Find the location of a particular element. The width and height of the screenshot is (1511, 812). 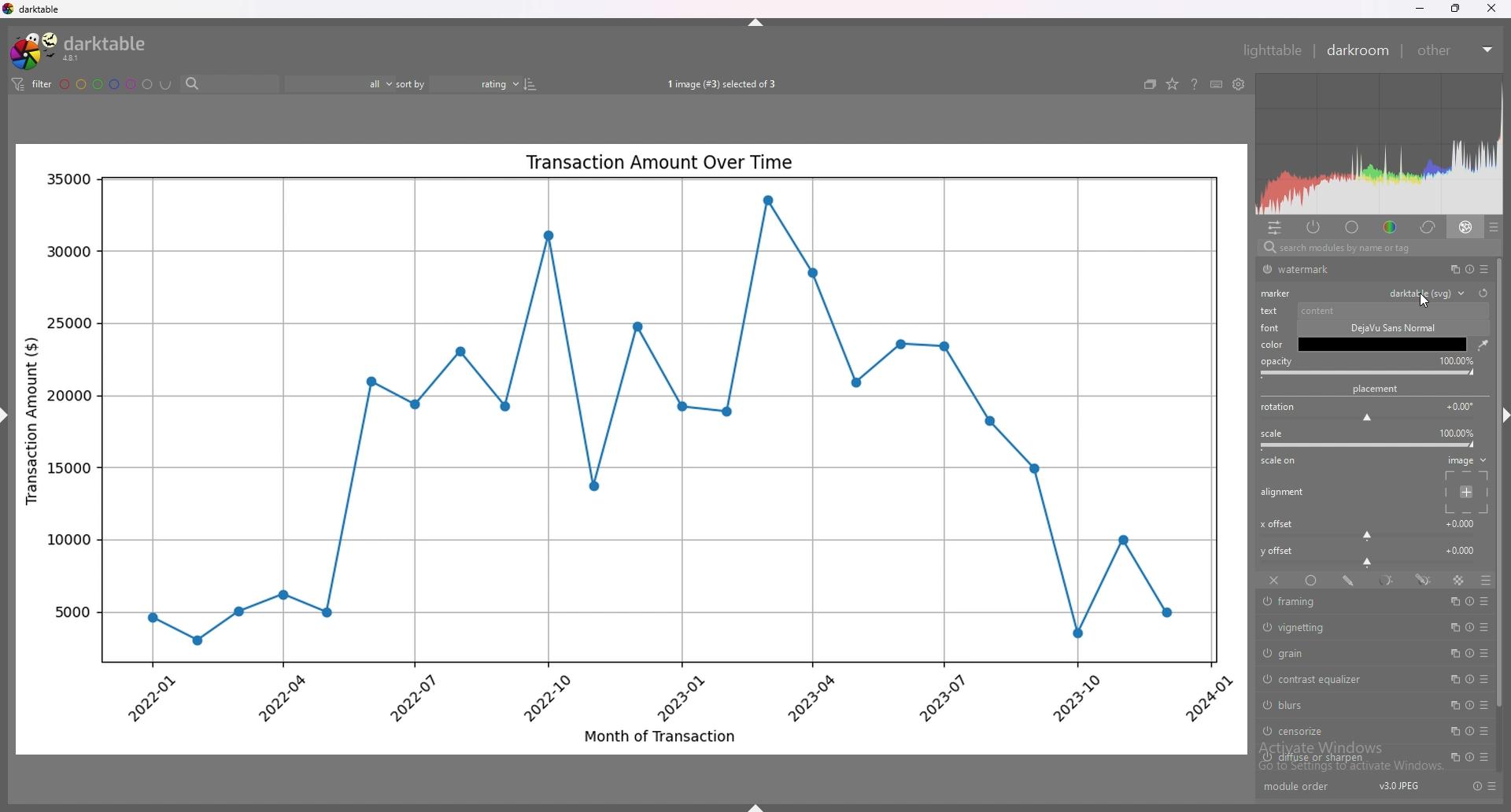

multiple instances action is located at coordinates (1453, 705).